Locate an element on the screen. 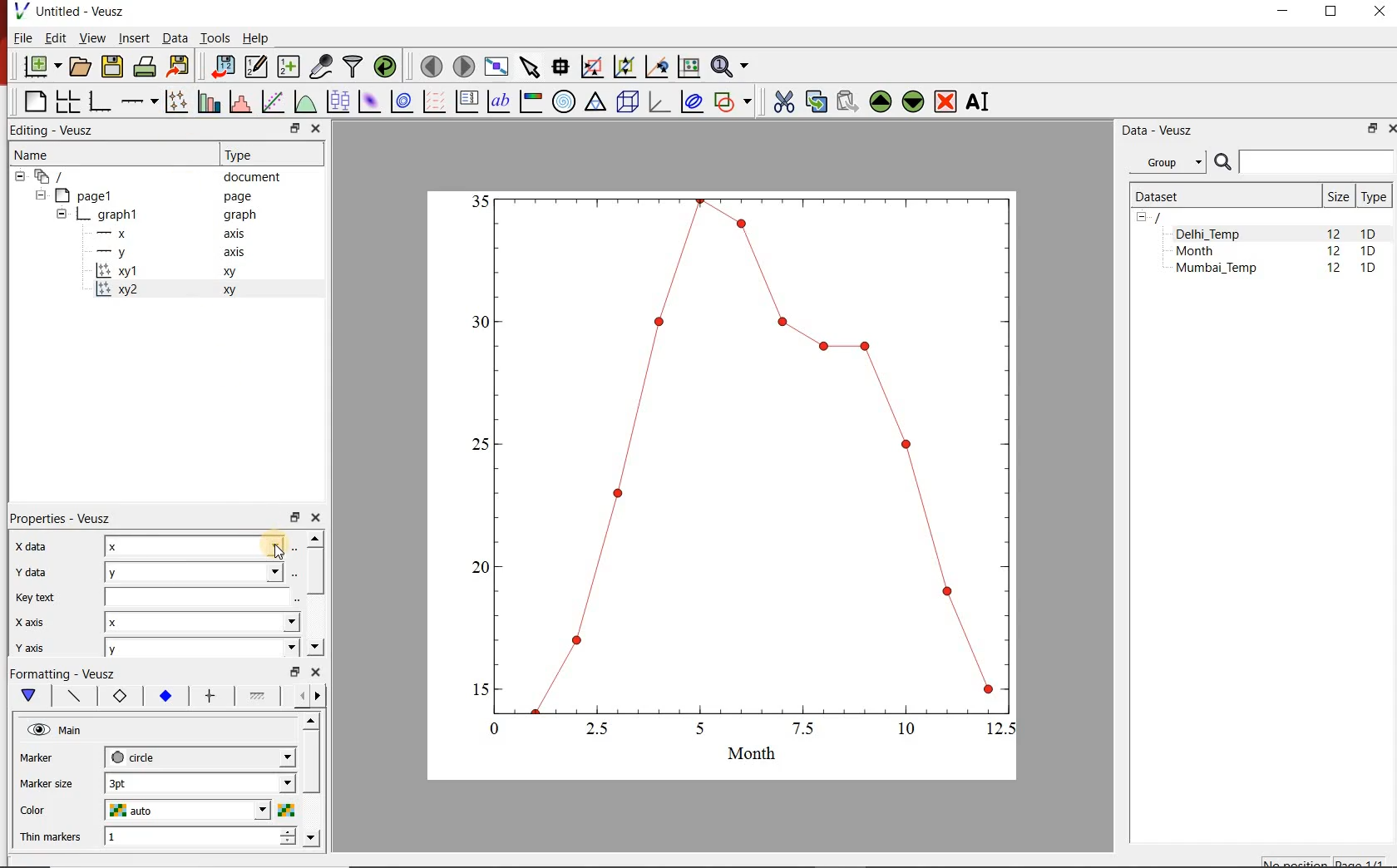 The width and height of the screenshot is (1397, 868). SEARCH DATASETS is located at coordinates (1303, 163).